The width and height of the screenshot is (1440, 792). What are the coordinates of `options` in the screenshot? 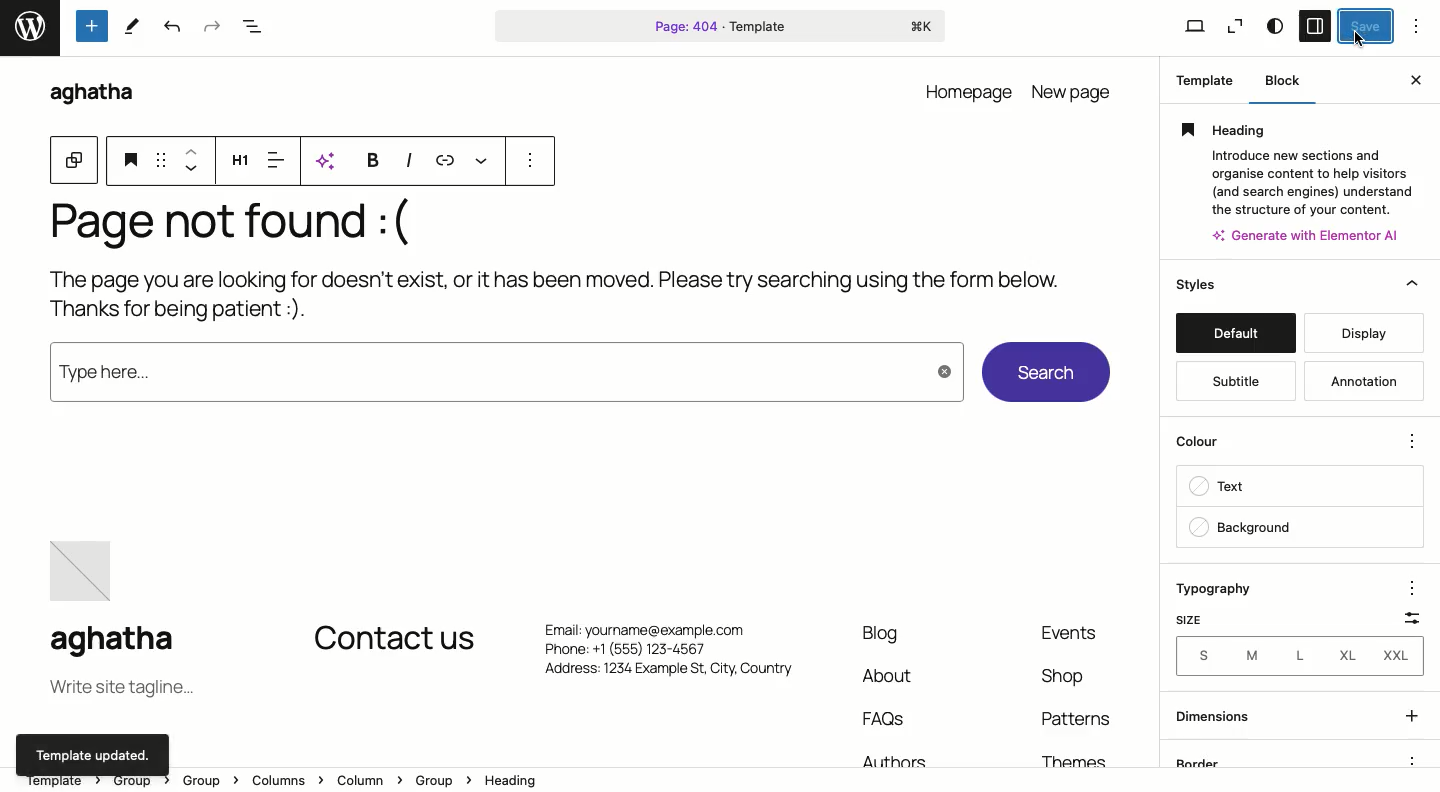 It's located at (1412, 438).